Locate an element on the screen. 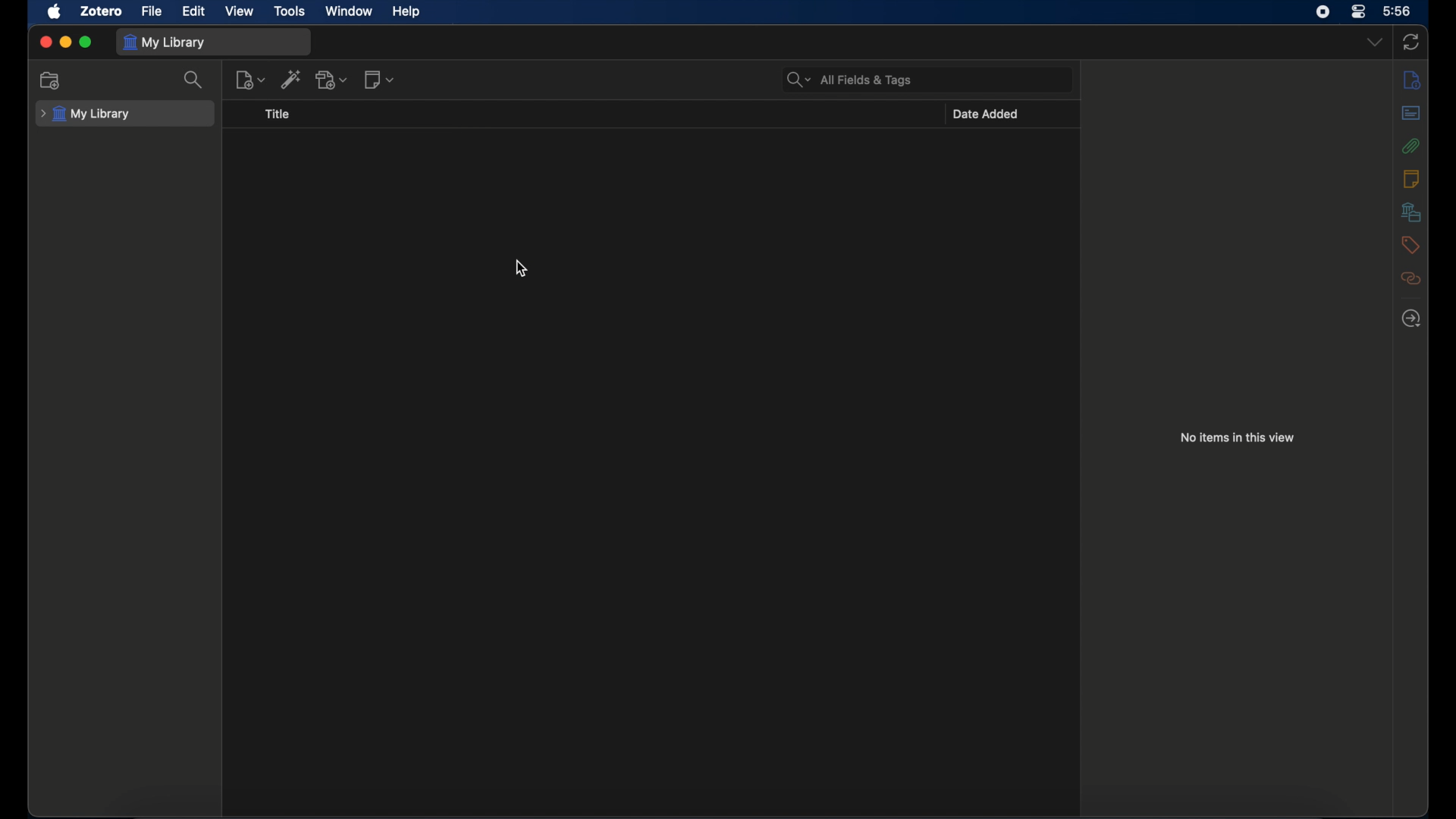  edit is located at coordinates (196, 11).